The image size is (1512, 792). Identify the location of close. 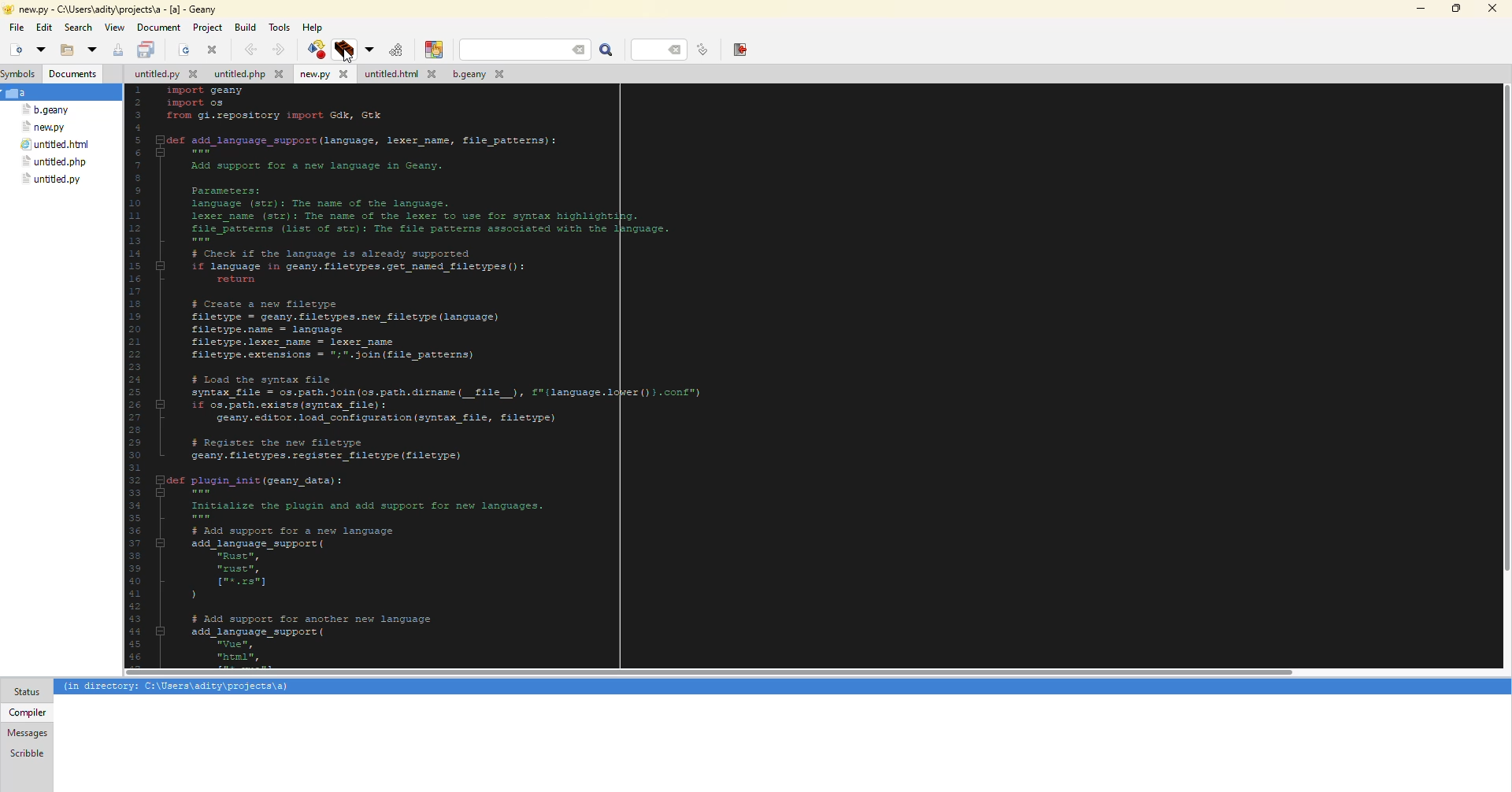
(212, 50).